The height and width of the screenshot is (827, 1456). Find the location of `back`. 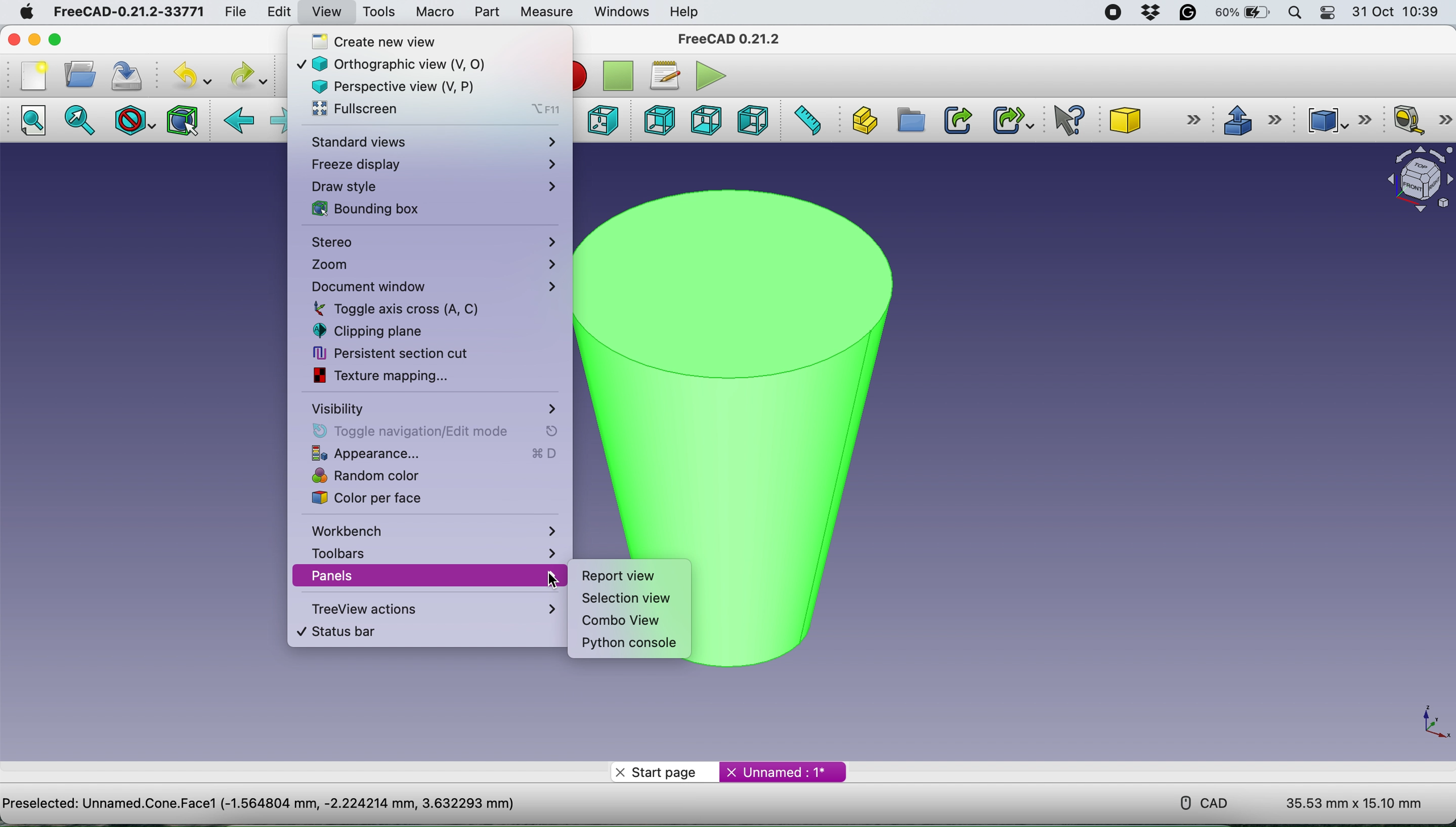

back is located at coordinates (240, 121).